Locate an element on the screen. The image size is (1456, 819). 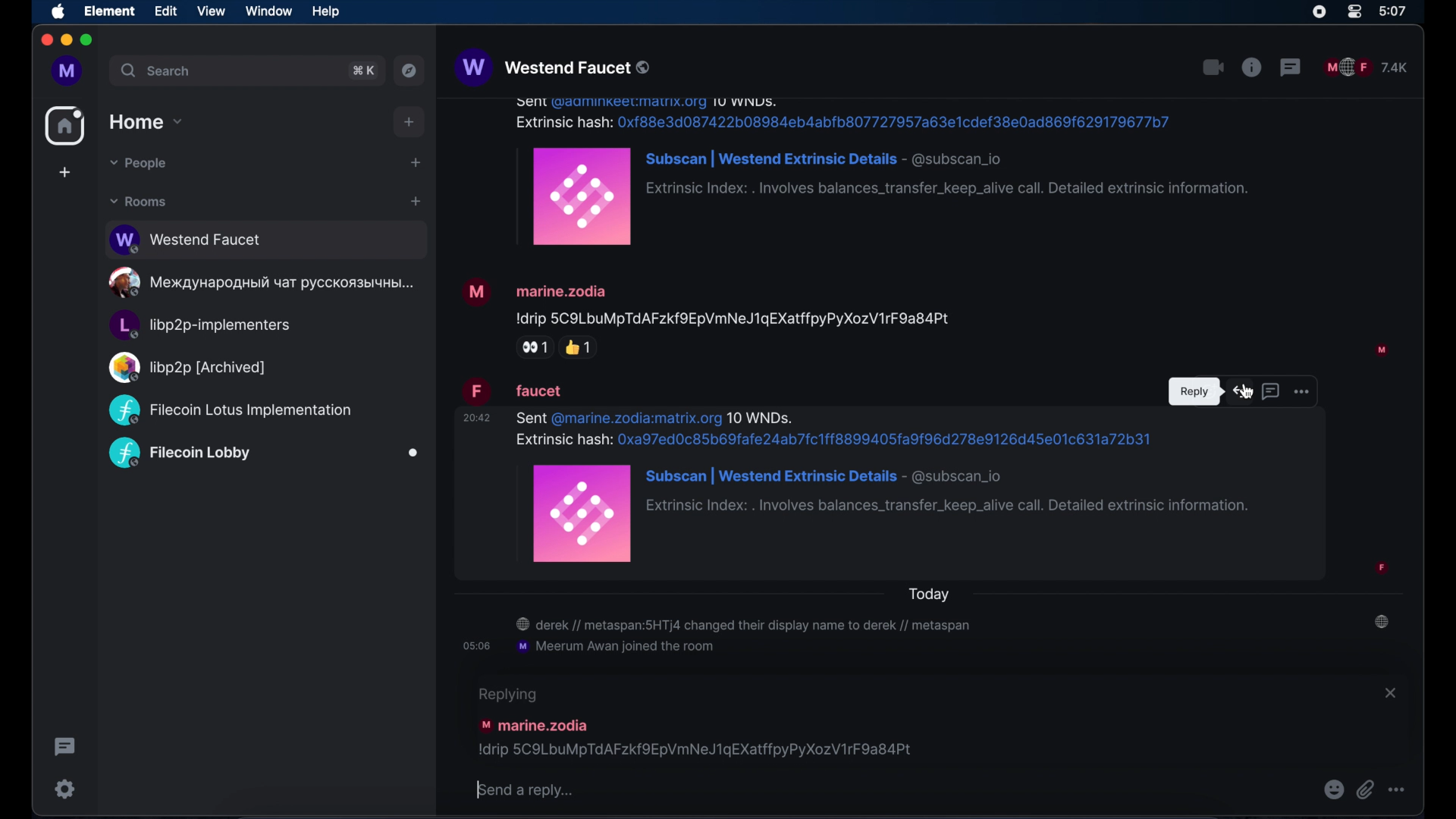
more options is located at coordinates (1398, 790).